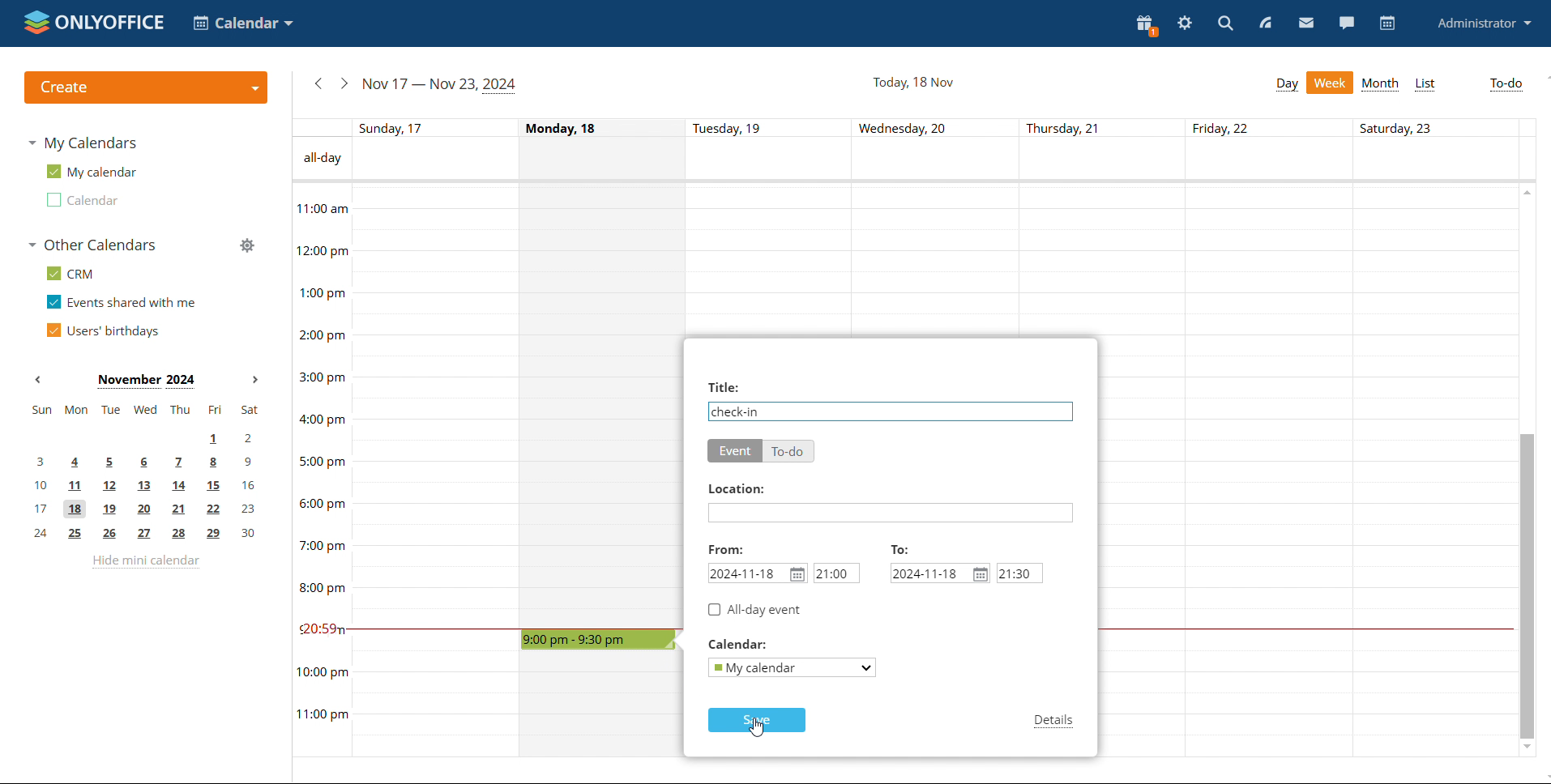 The height and width of the screenshot is (784, 1551). I want to click on second calendar, so click(81, 198).